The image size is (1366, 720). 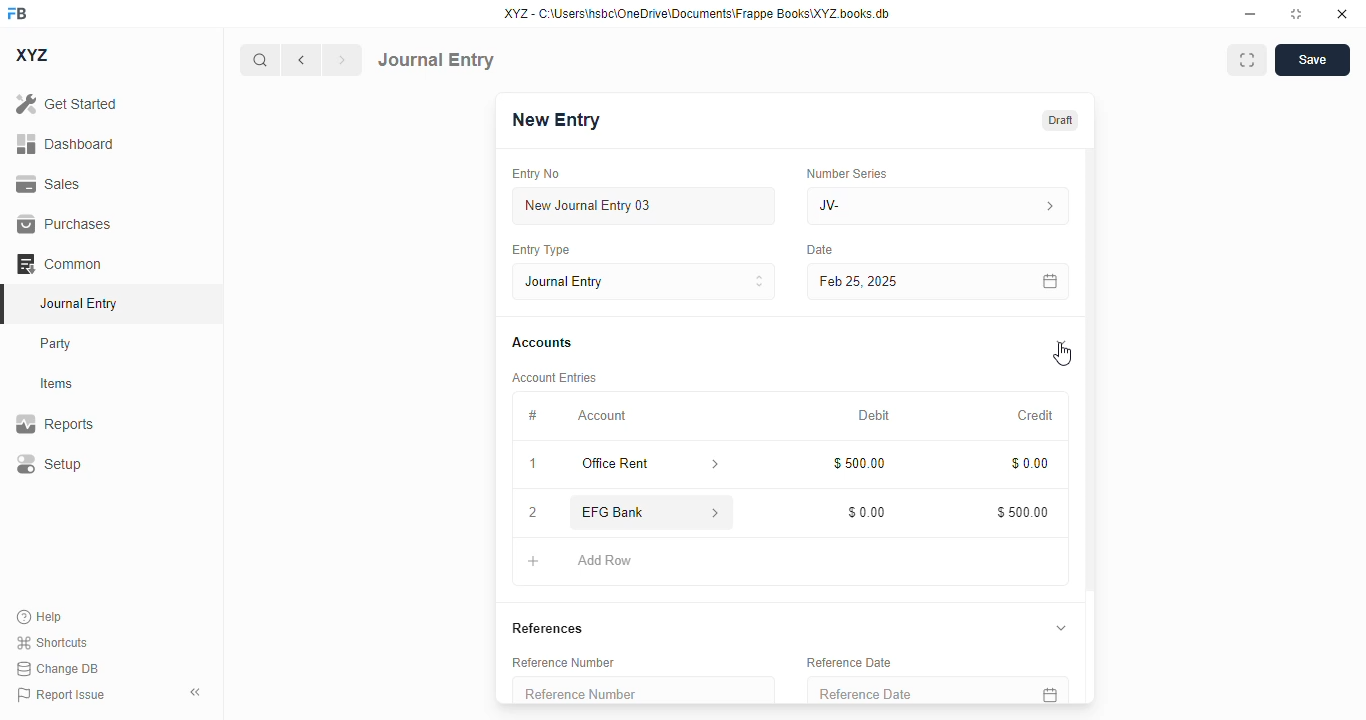 I want to click on new journal entry 03, so click(x=642, y=206).